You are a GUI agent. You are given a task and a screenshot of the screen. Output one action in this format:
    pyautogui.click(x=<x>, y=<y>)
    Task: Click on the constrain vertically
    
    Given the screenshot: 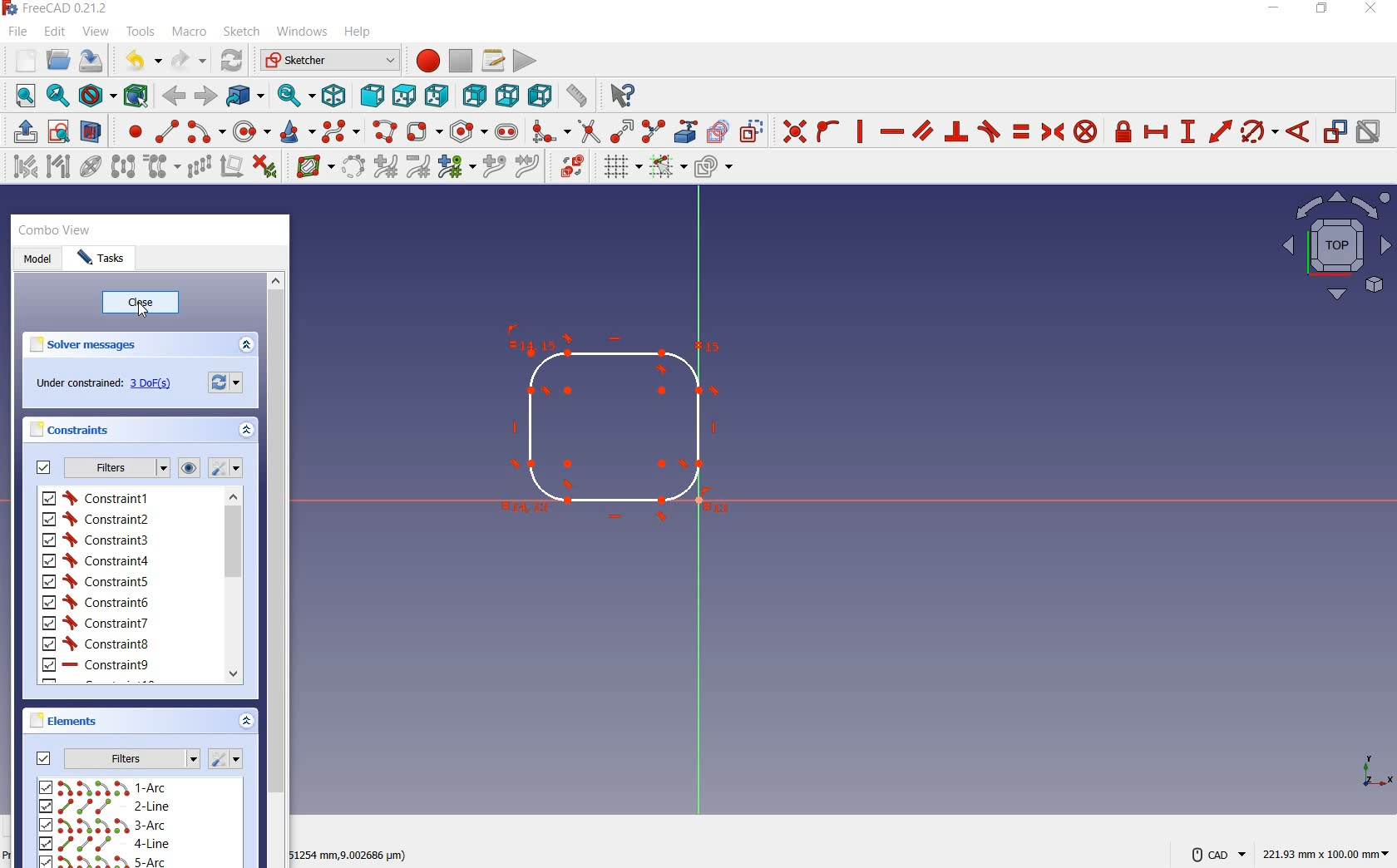 What is the action you would take?
    pyautogui.click(x=861, y=132)
    